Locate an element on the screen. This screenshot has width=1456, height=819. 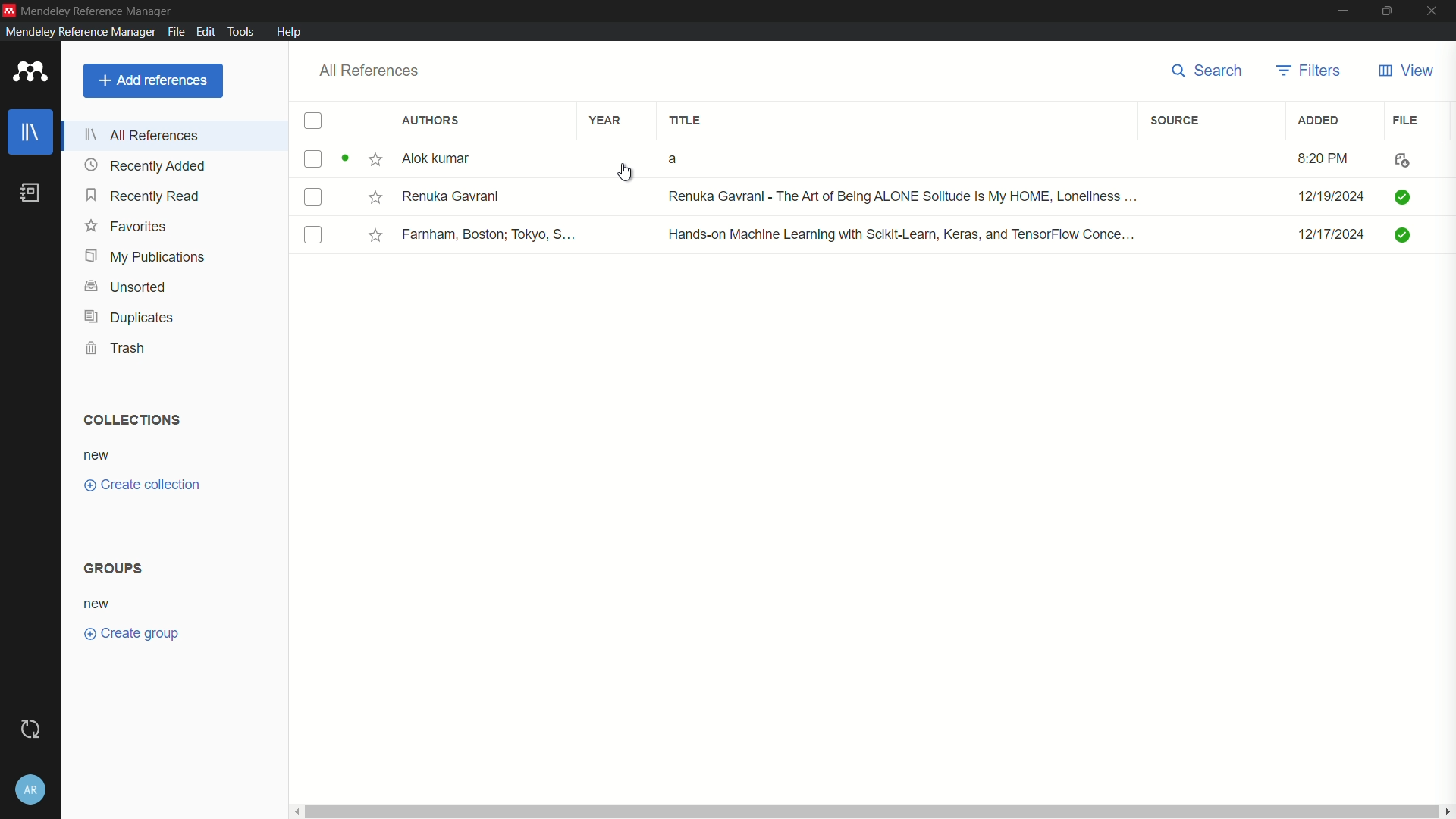
book-3 is located at coordinates (864, 234).